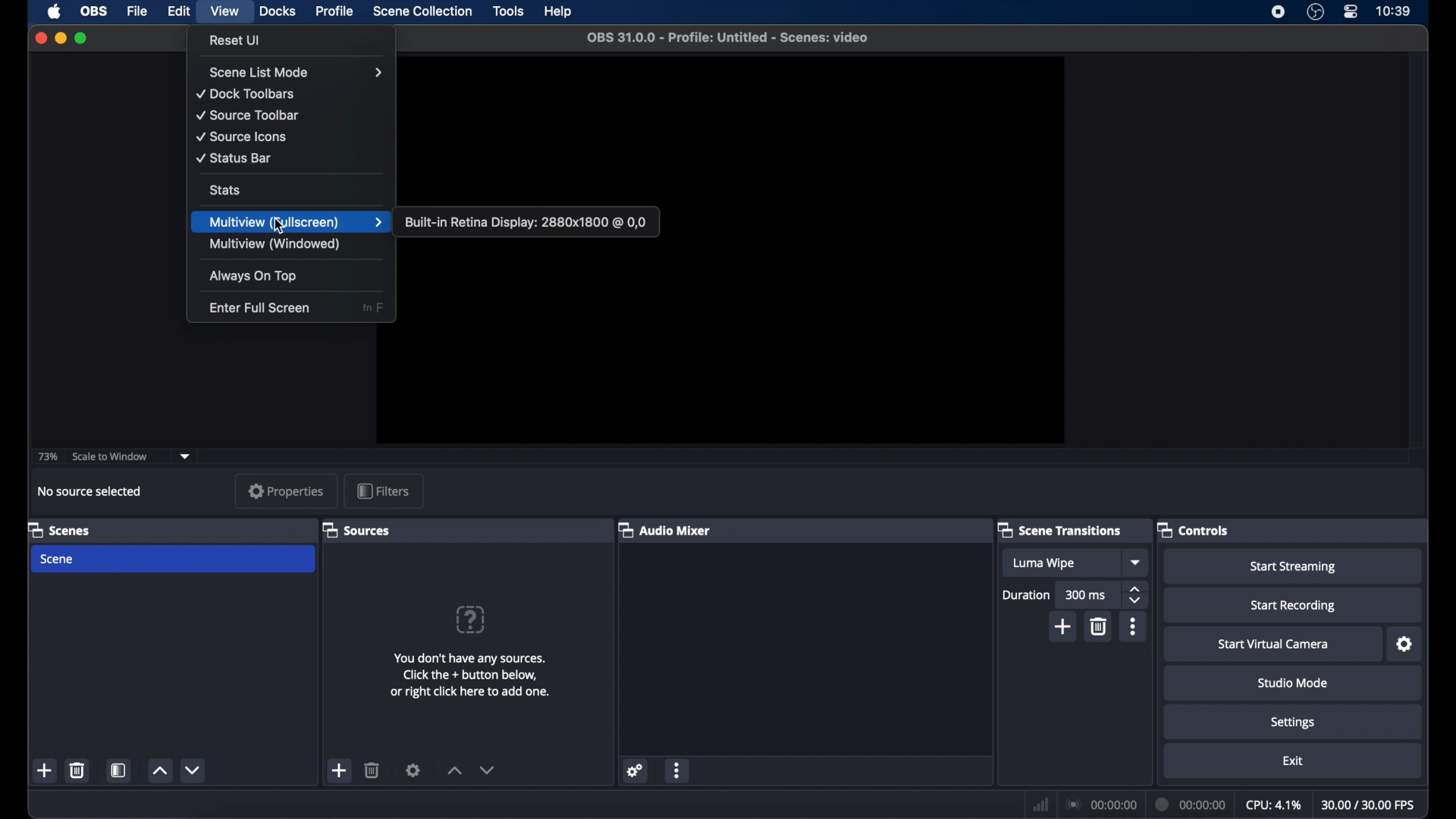 This screenshot has width=1456, height=819. I want to click on stepper buttons, so click(1137, 595).